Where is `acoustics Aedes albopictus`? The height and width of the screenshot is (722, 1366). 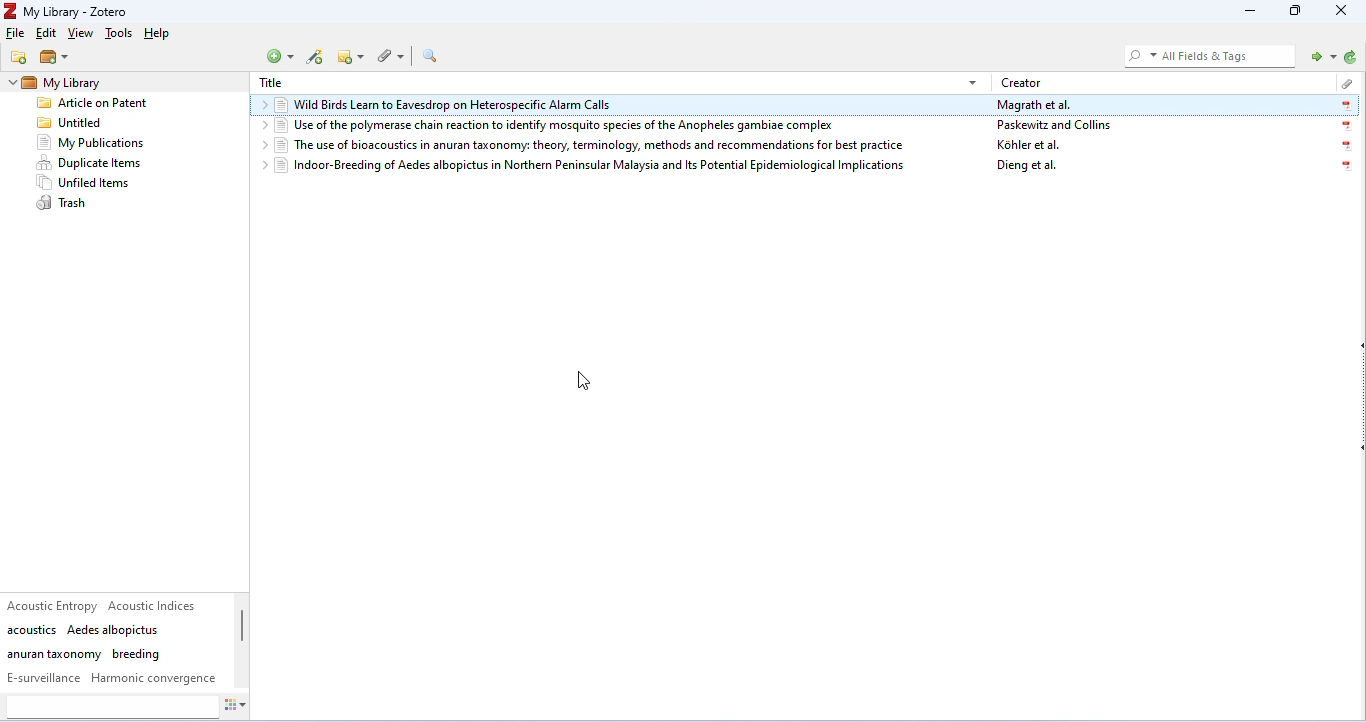 acoustics Aedes albopictus is located at coordinates (84, 630).